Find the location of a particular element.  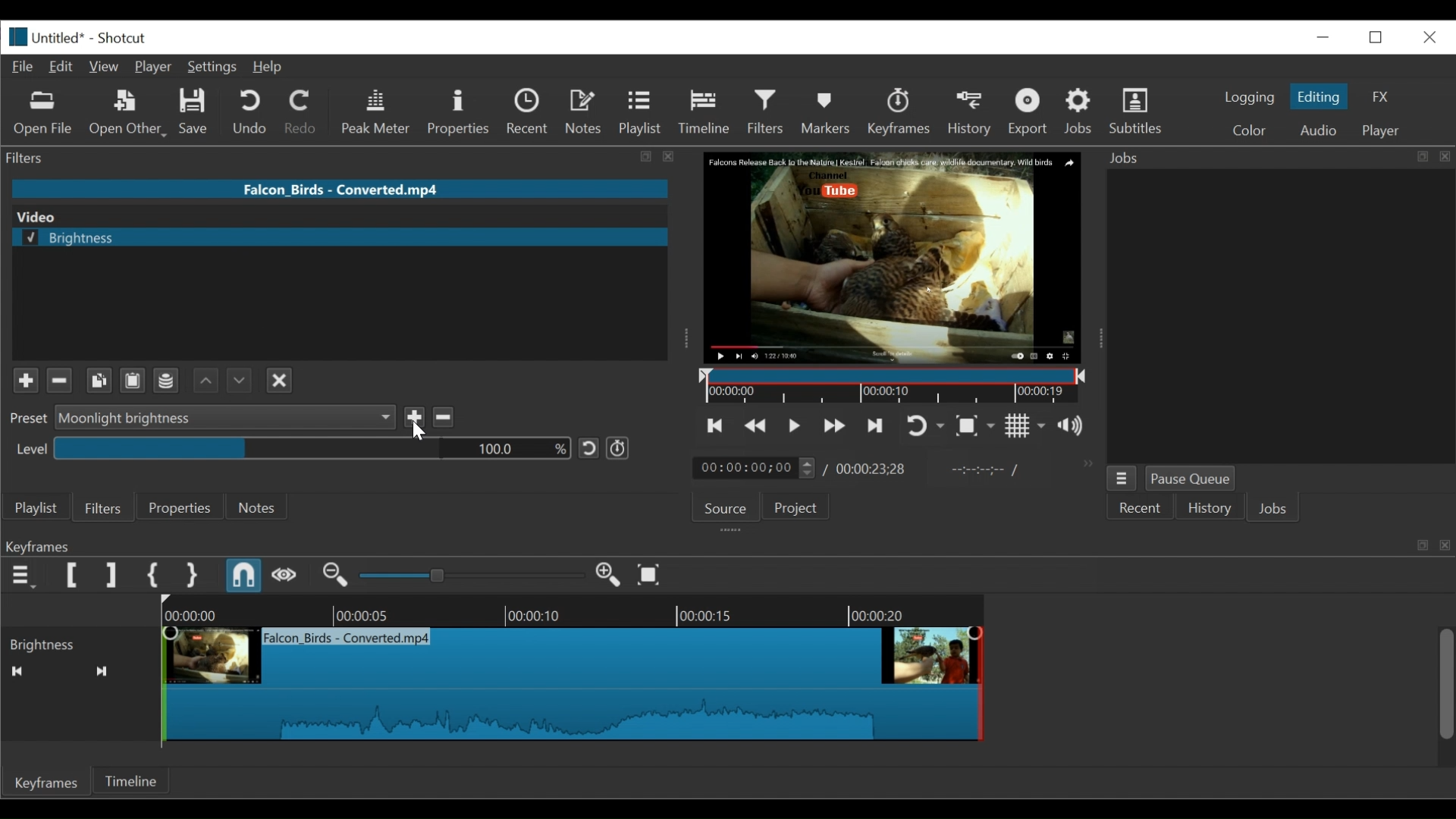

Open Other is located at coordinates (129, 113).